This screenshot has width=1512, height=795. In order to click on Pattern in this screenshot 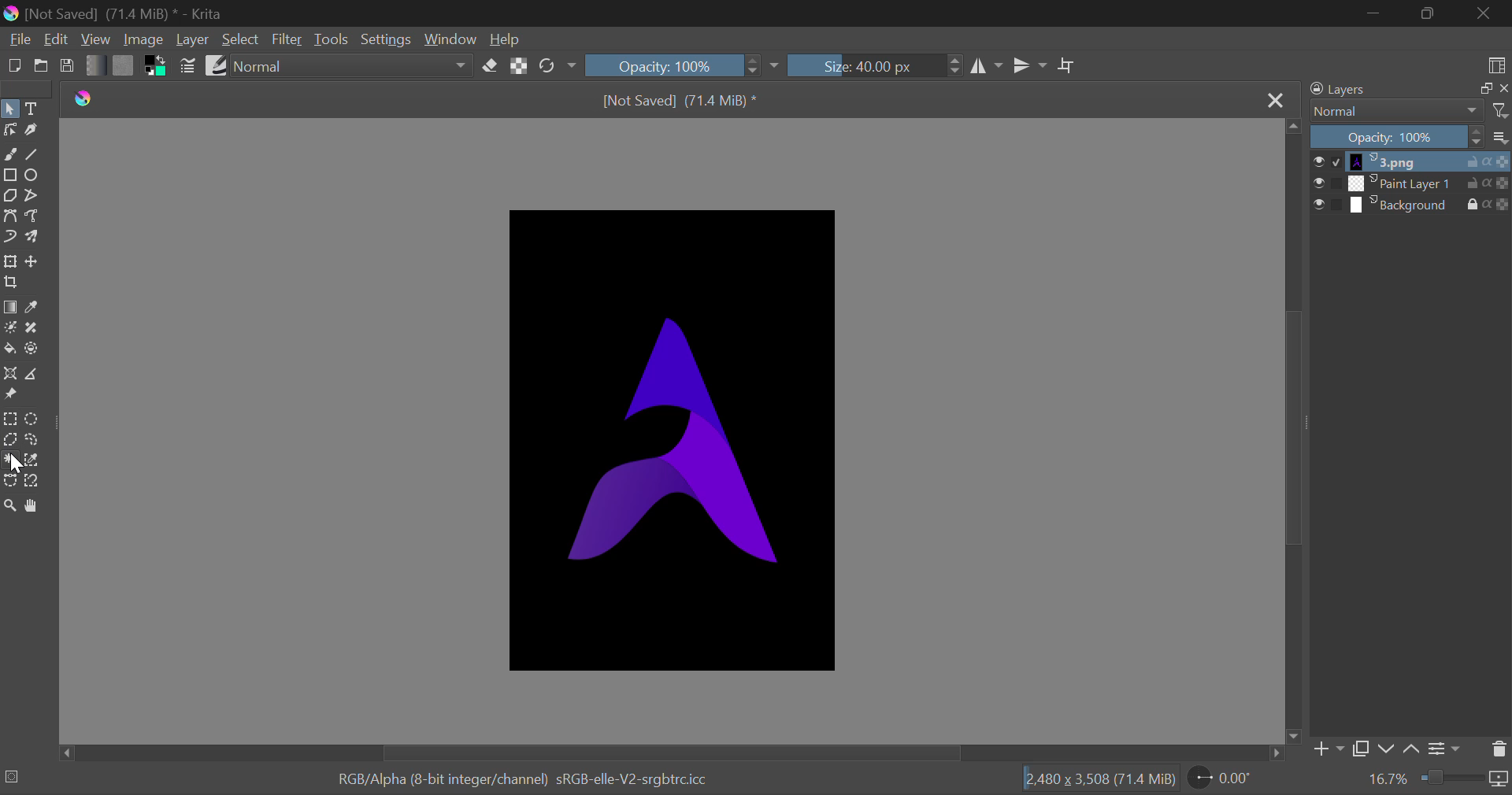, I will do `click(123, 65)`.